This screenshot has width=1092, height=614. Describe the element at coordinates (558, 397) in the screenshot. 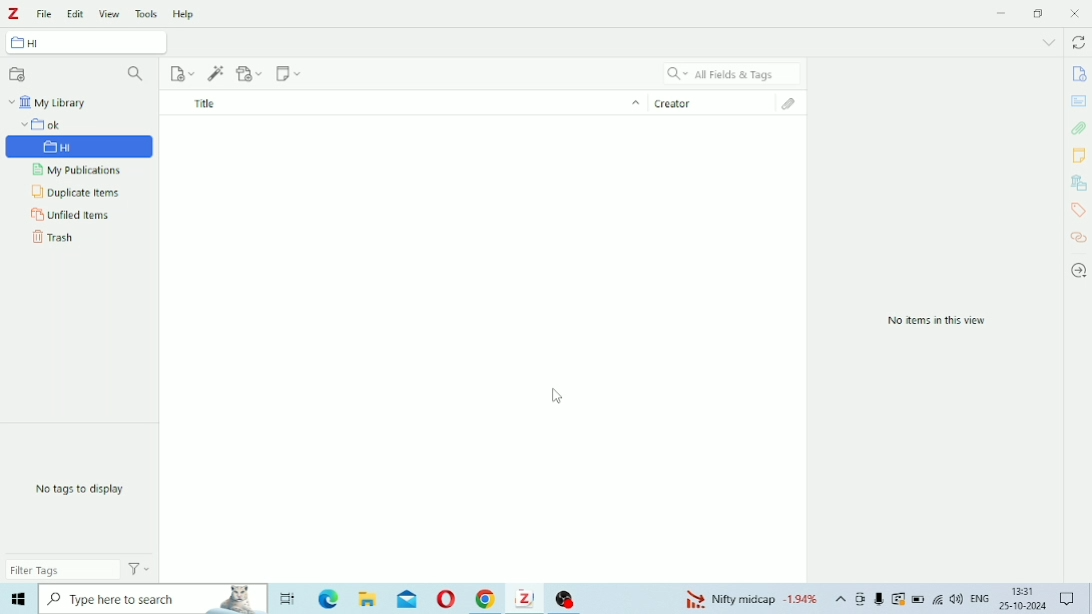

I see `Cursor` at that location.